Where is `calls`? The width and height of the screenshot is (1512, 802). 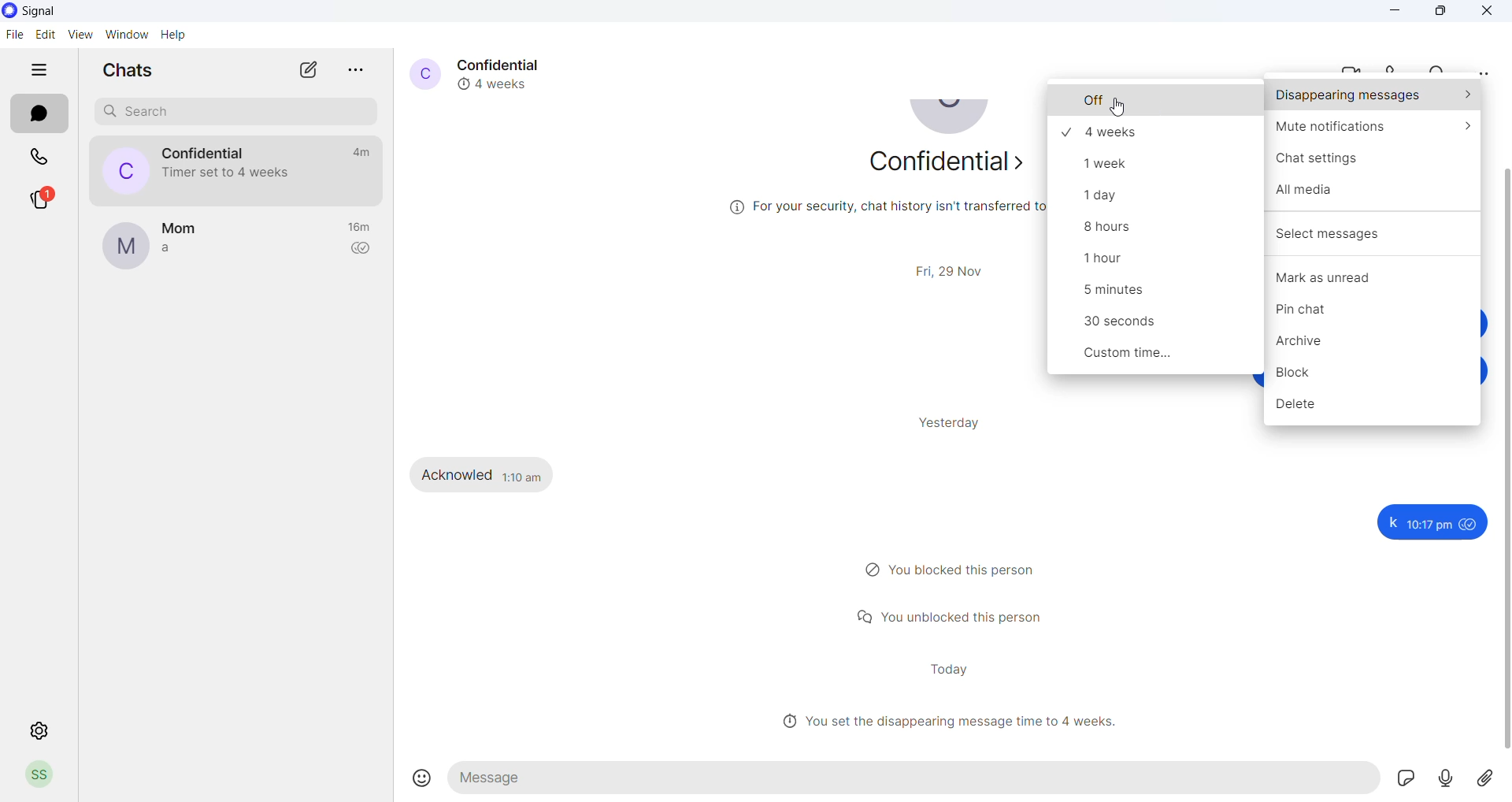 calls is located at coordinates (39, 157).